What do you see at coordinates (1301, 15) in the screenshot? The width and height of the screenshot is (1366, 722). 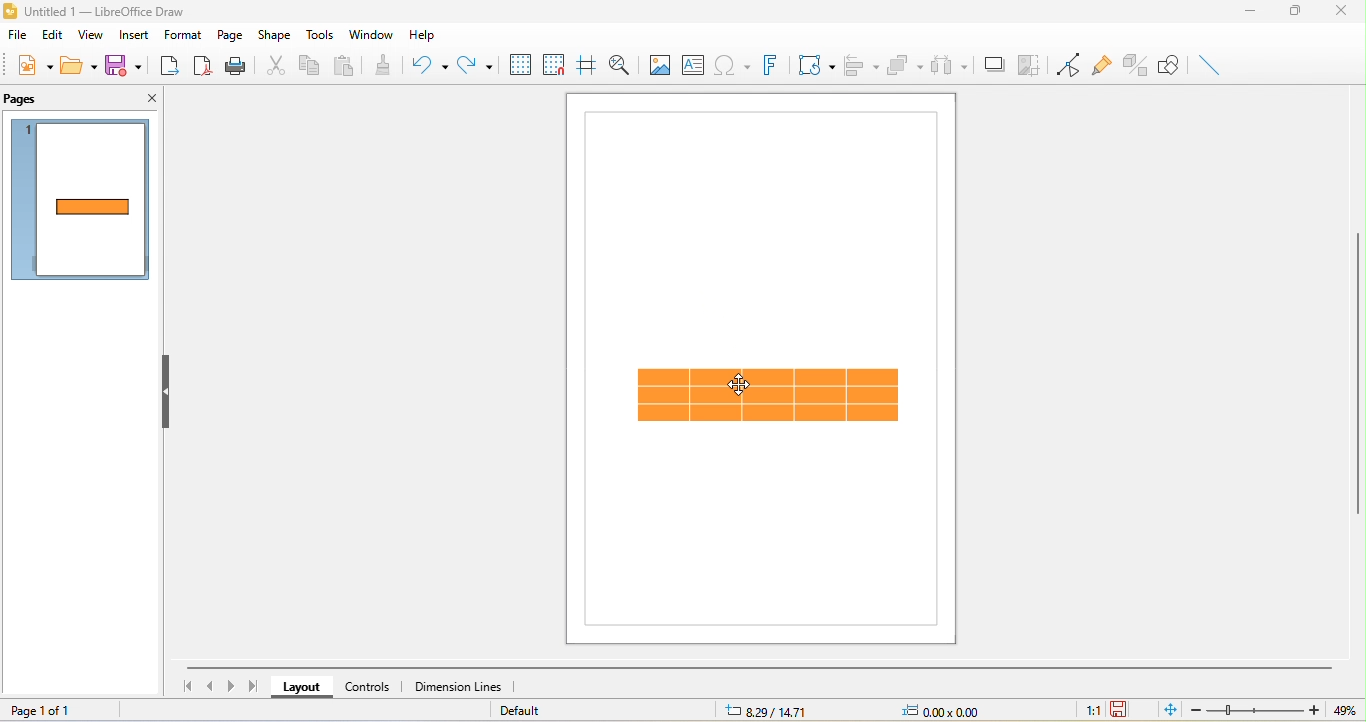 I see `maximize` at bounding box center [1301, 15].